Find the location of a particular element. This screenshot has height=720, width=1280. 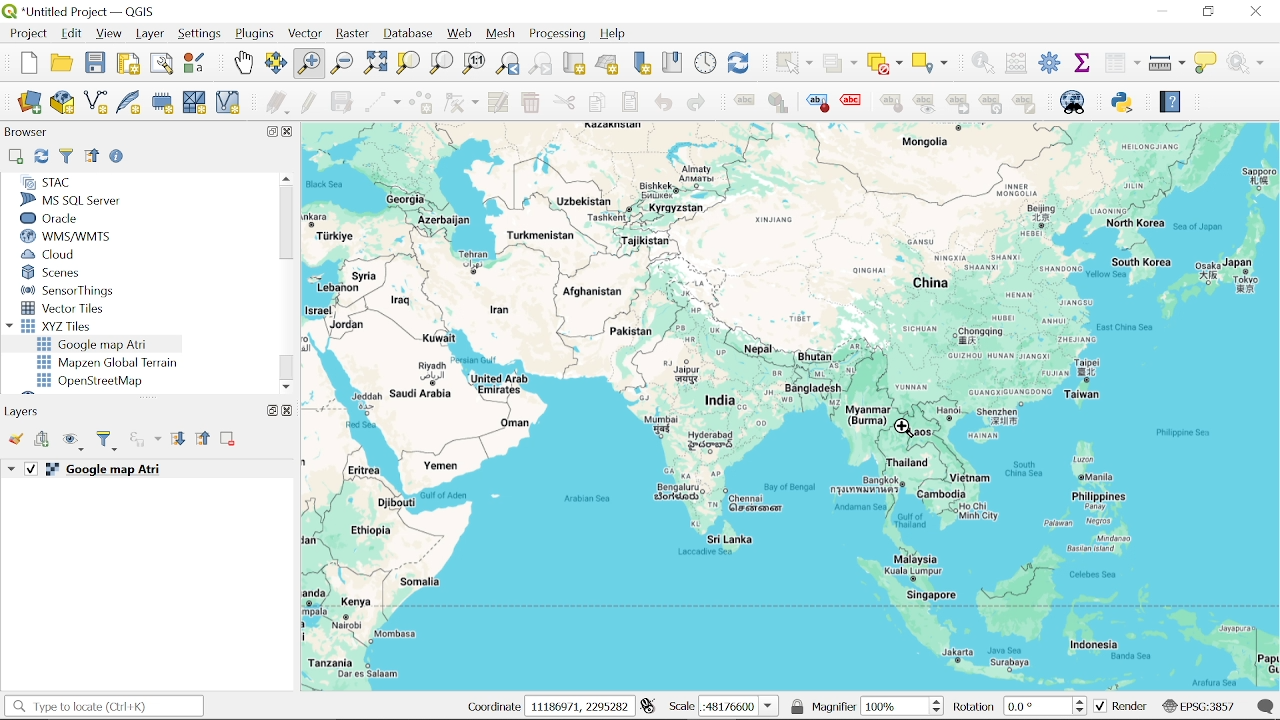

lock is located at coordinates (798, 706).